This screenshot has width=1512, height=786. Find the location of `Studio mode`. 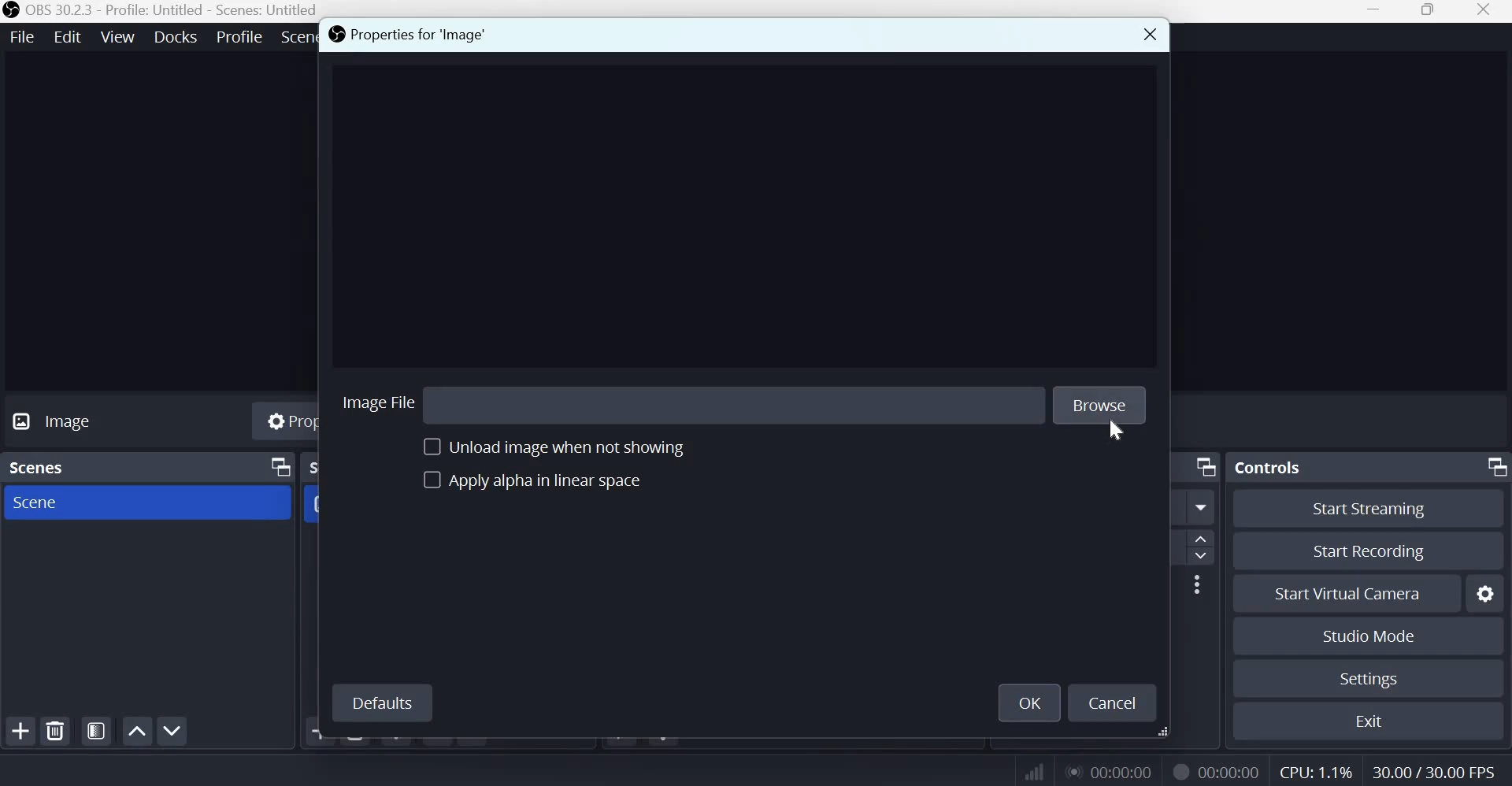

Studio mode is located at coordinates (1369, 635).